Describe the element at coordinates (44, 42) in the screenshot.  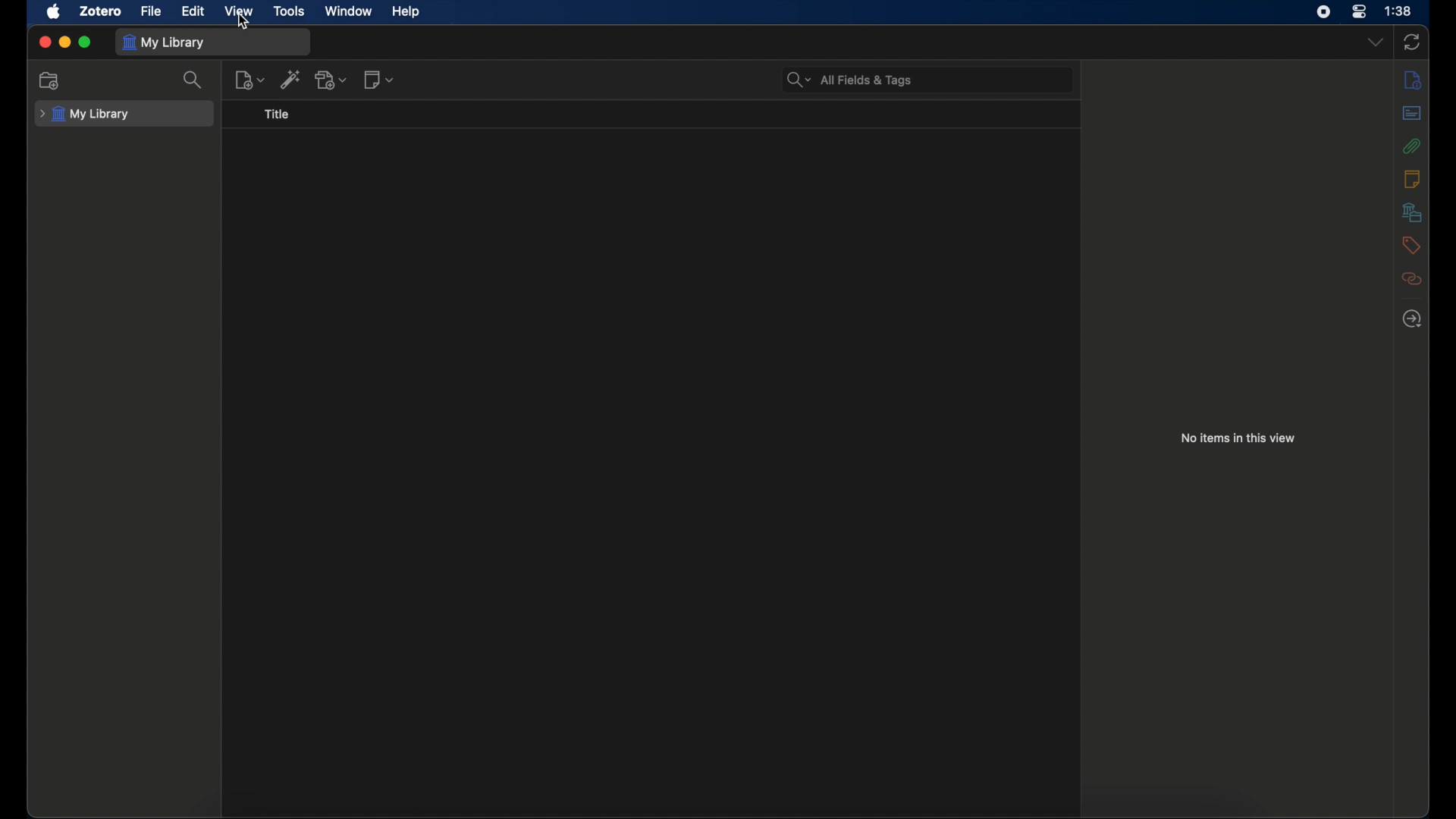
I see `close` at that location.